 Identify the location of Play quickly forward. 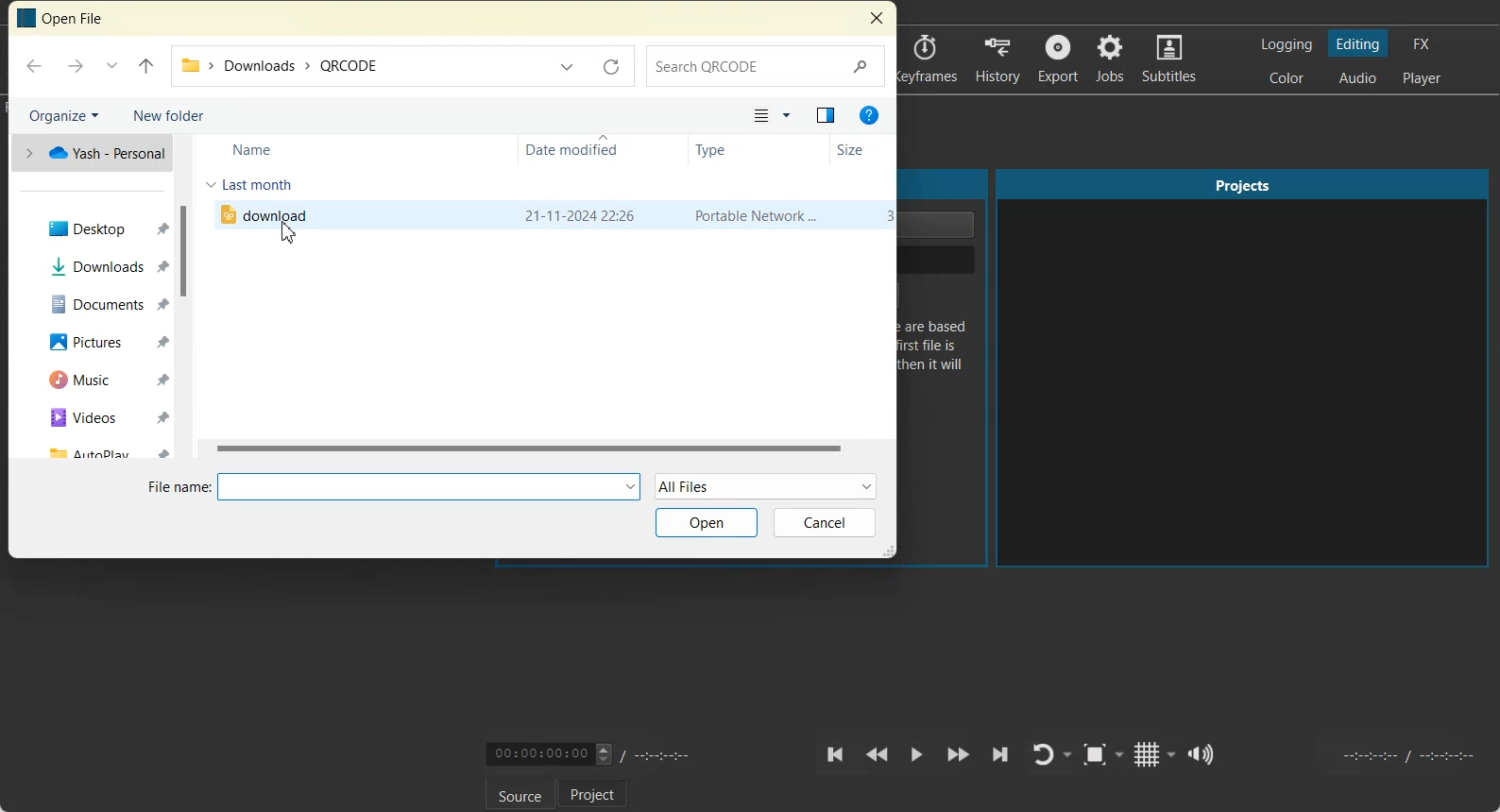
(959, 755).